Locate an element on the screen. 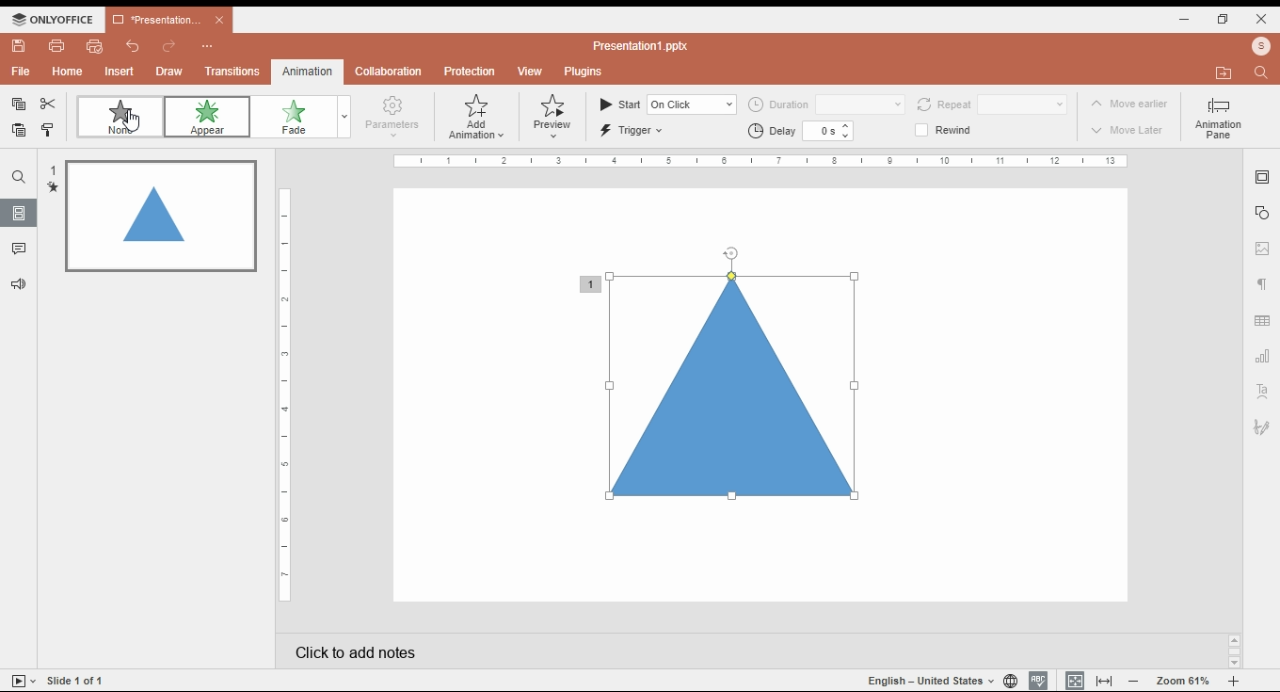 Image resolution: width=1280 pixels, height=692 pixels. file is located at coordinates (21, 73).